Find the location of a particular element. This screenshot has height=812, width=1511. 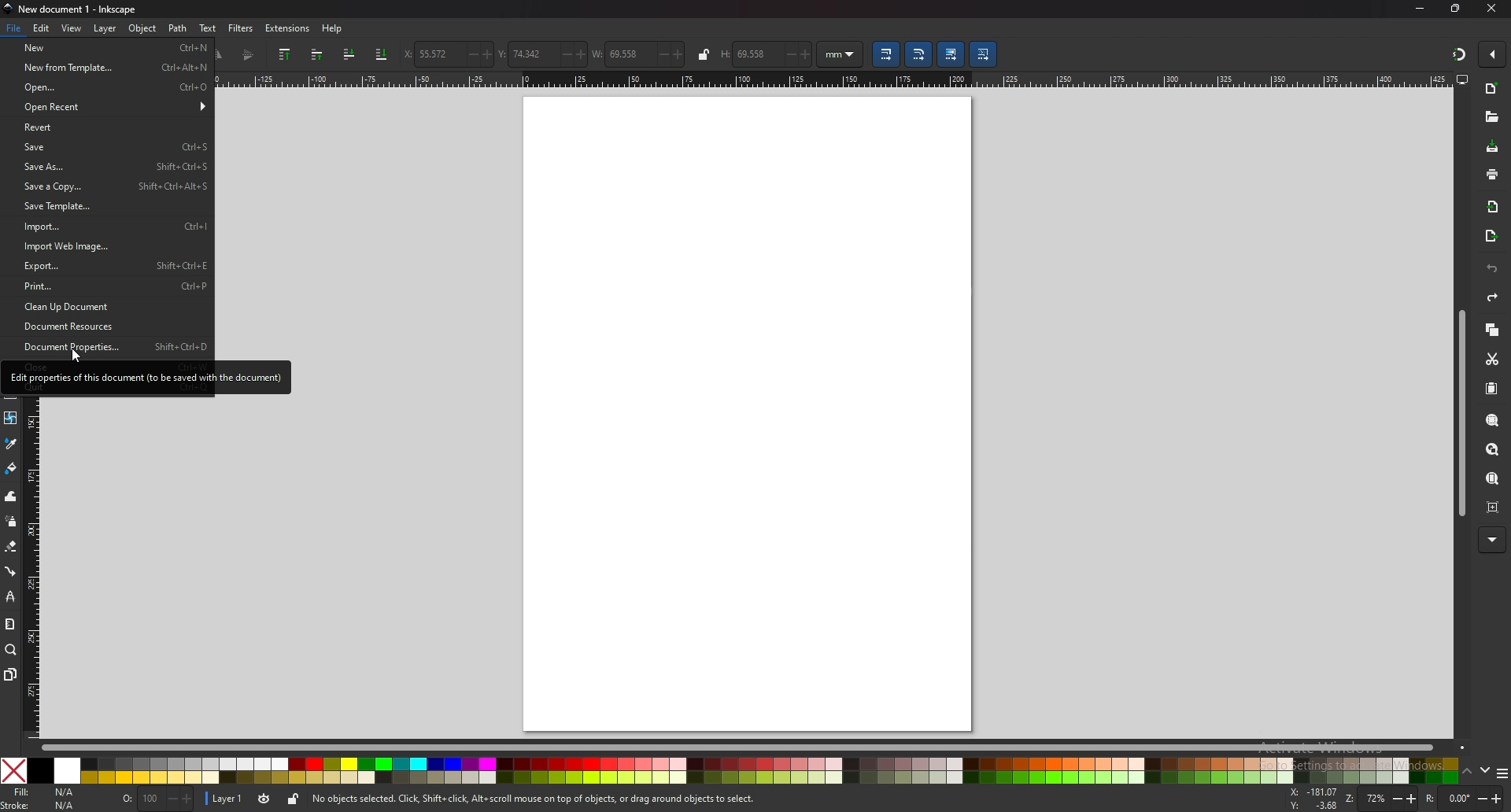

down is located at coordinates (1484, 771).